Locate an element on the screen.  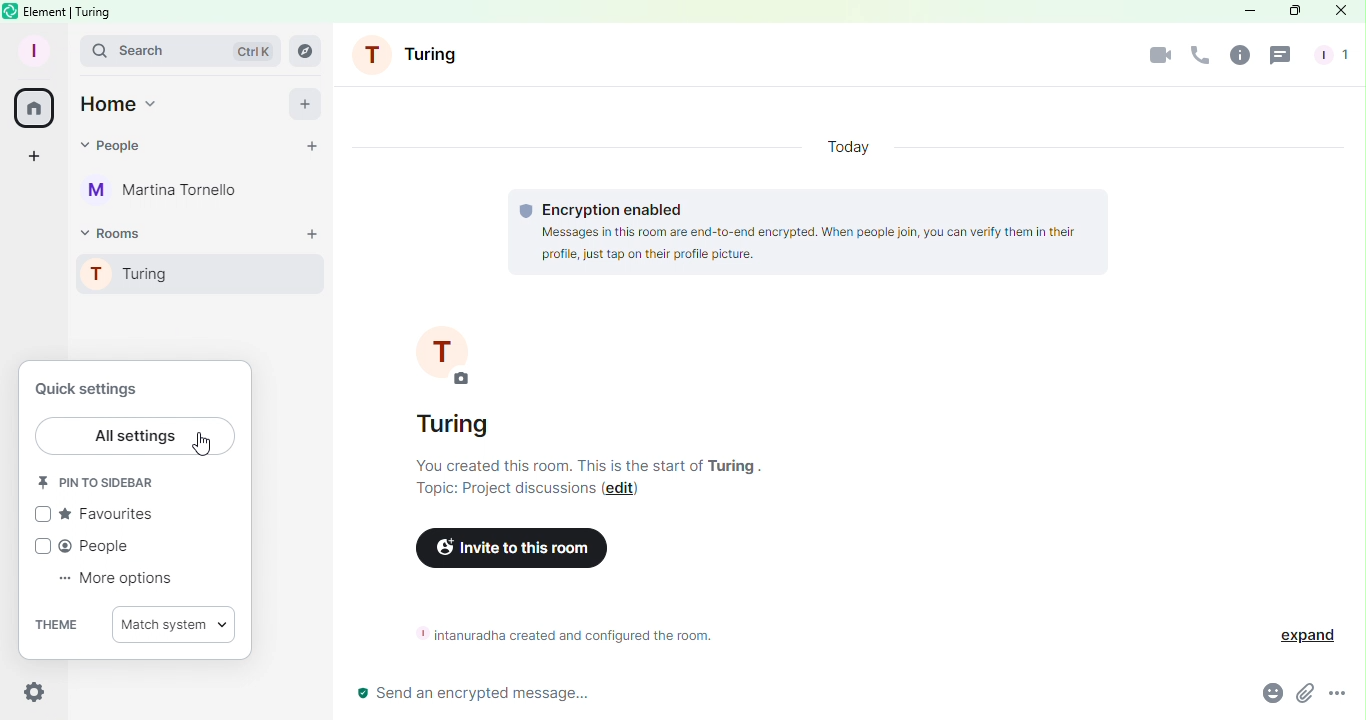
Create a space is located at coordinates (30, 159).